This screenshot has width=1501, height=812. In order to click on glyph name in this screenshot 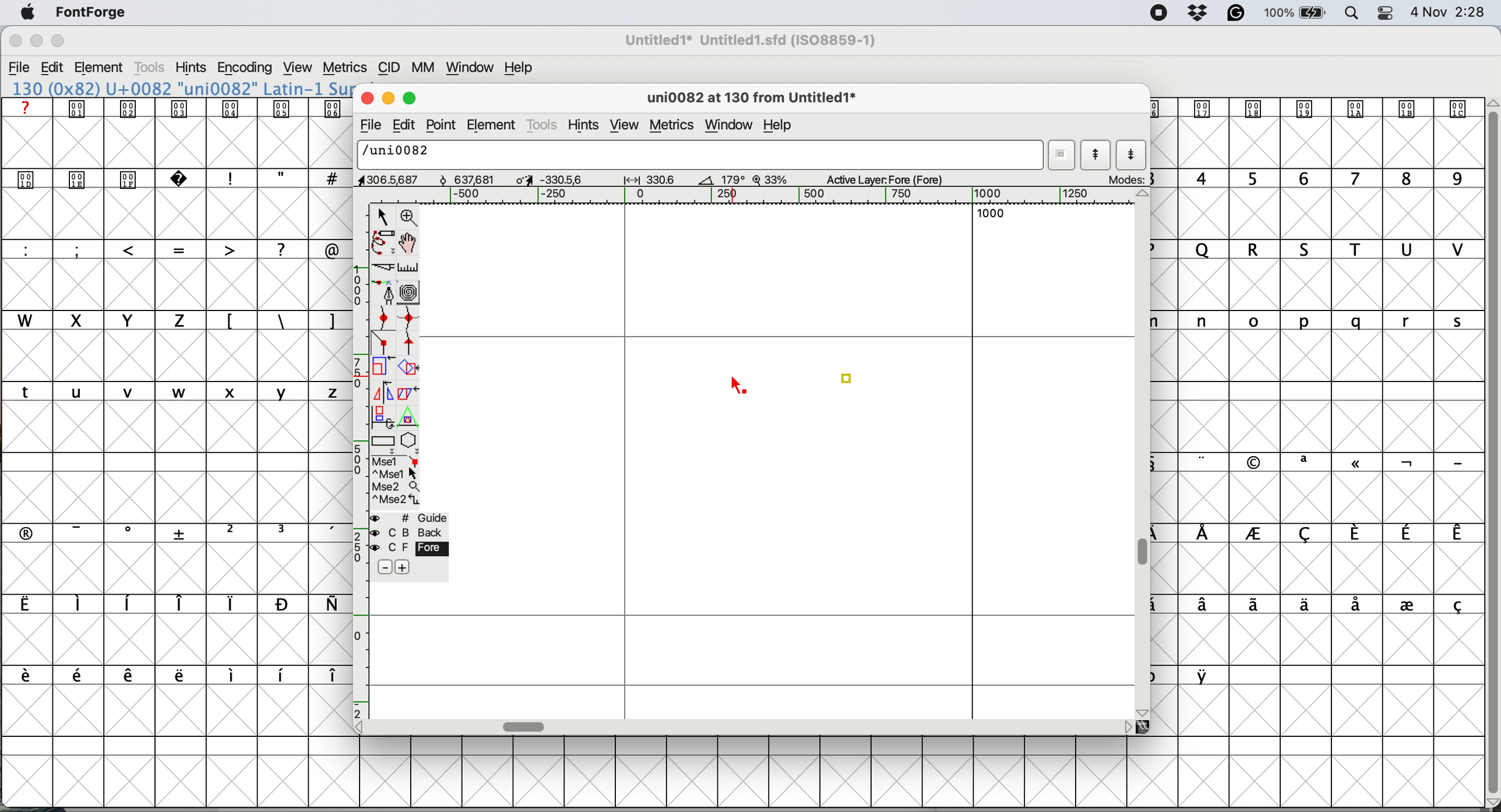, I will do `click(697, 154)`.